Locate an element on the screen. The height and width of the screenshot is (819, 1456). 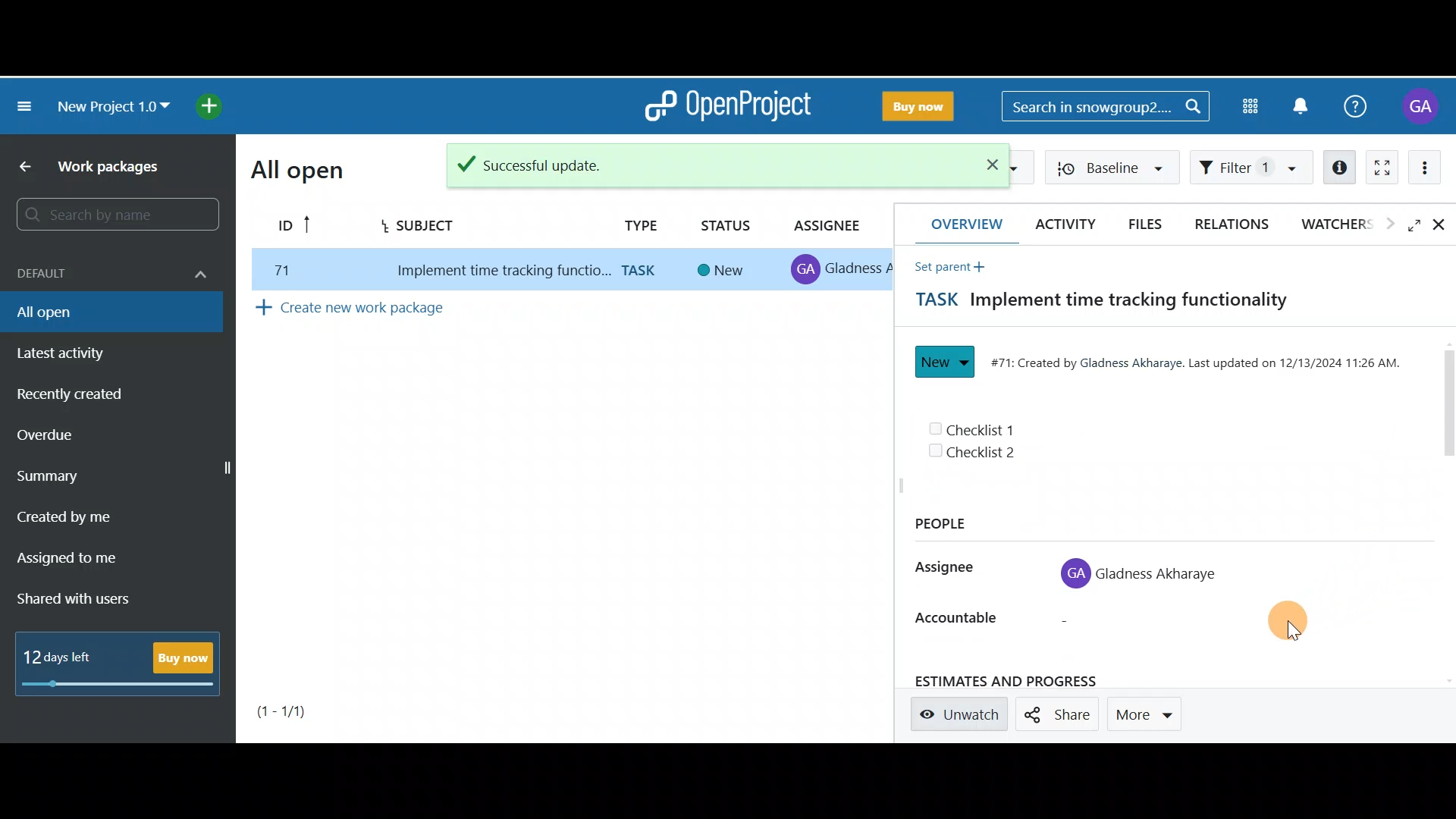
More is located at coordinates (1150, 711).